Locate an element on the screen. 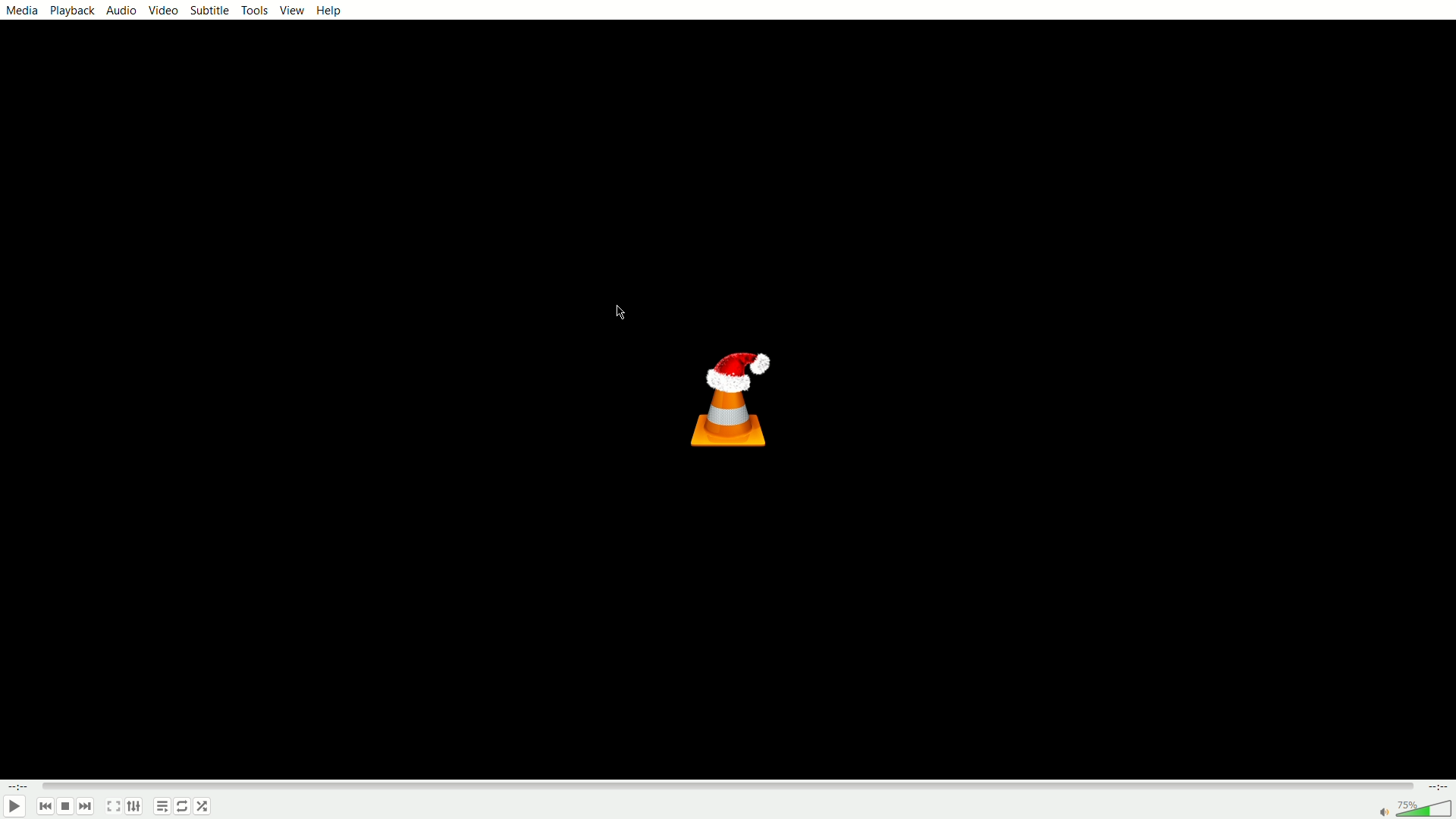  volume bar is located at coordinates (1415, 808).